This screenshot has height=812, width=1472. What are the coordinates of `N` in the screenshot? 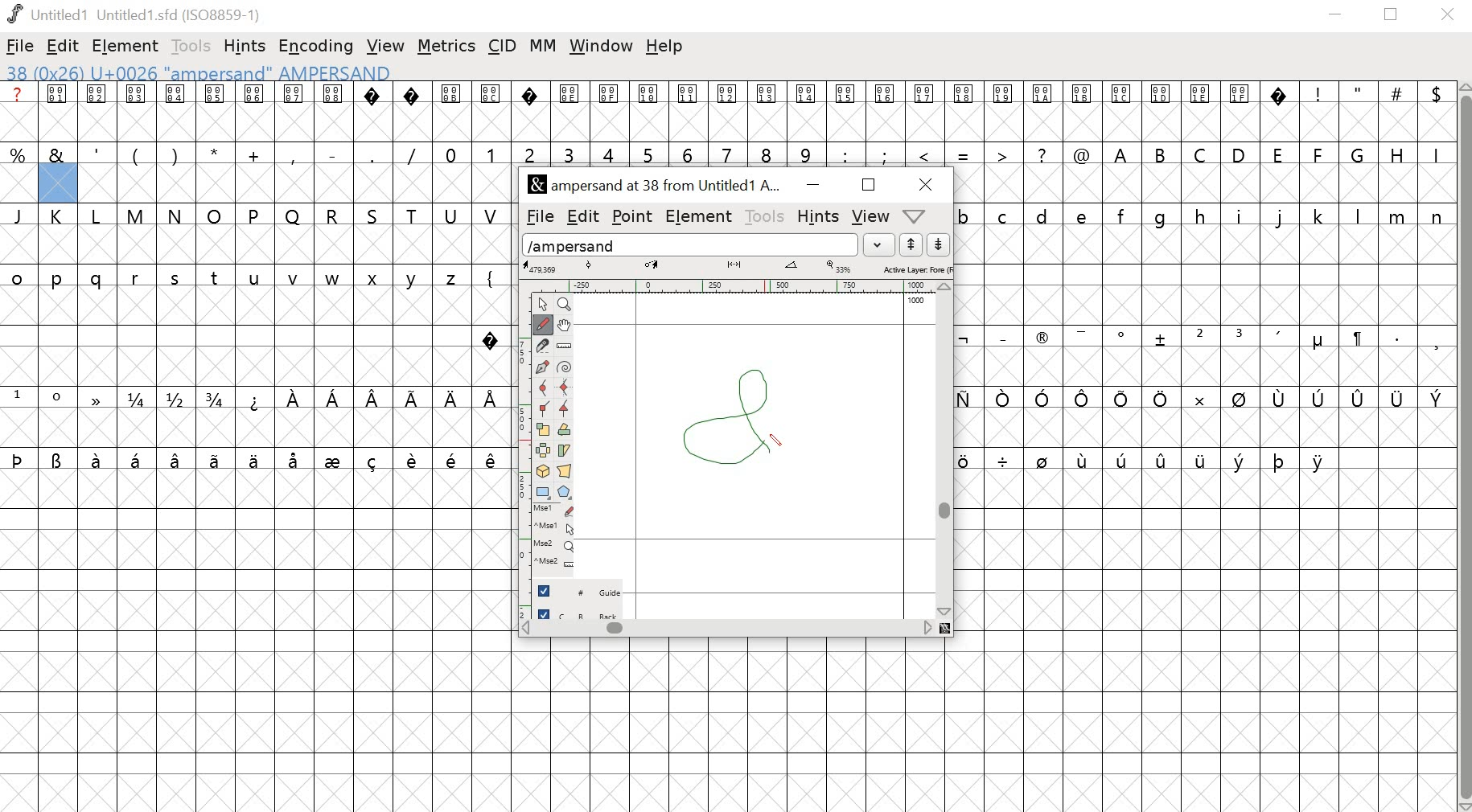 It's located at (176, 215).